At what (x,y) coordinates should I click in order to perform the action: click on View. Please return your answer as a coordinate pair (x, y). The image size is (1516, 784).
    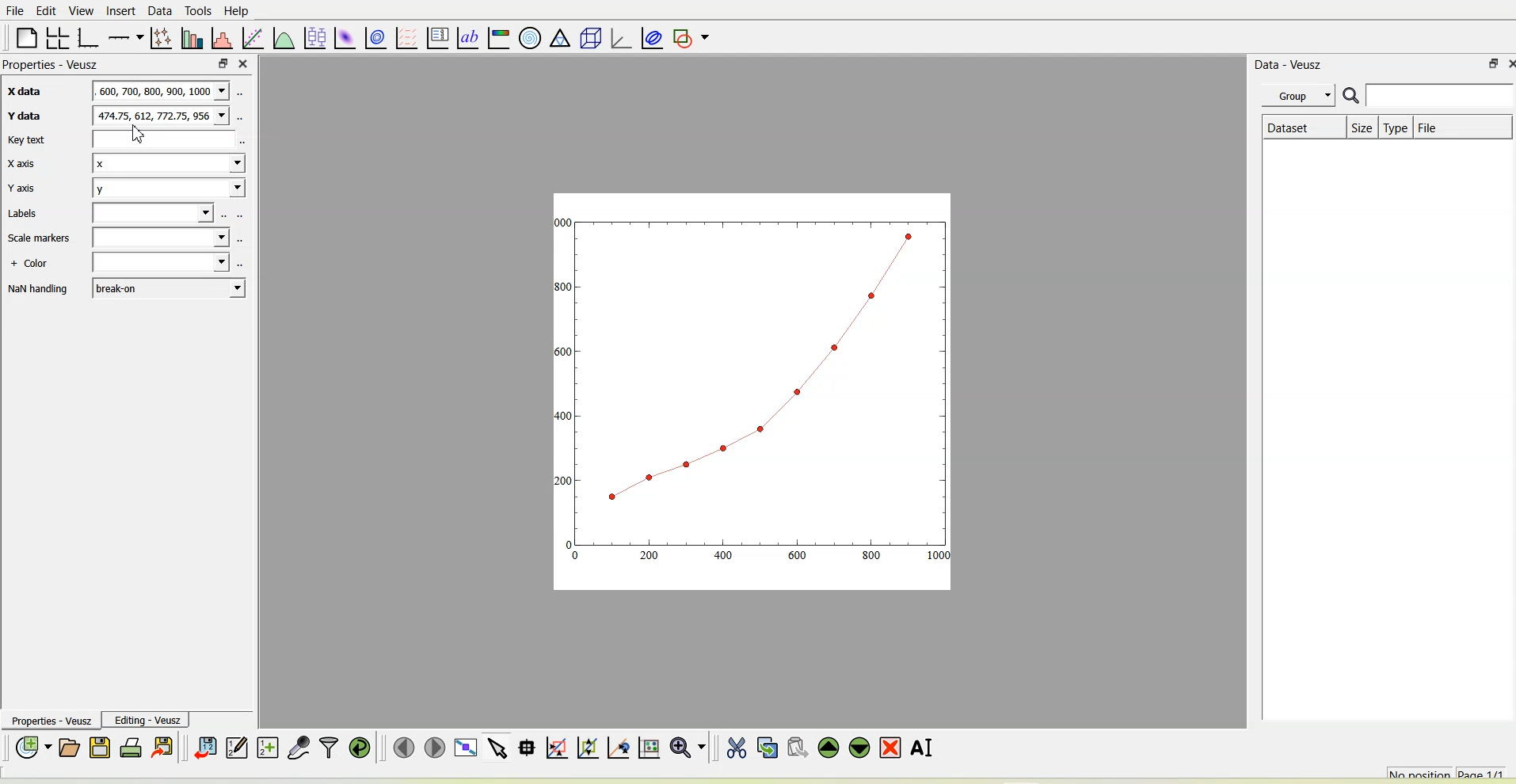
    Looking at the image, I should click on (78, 11).